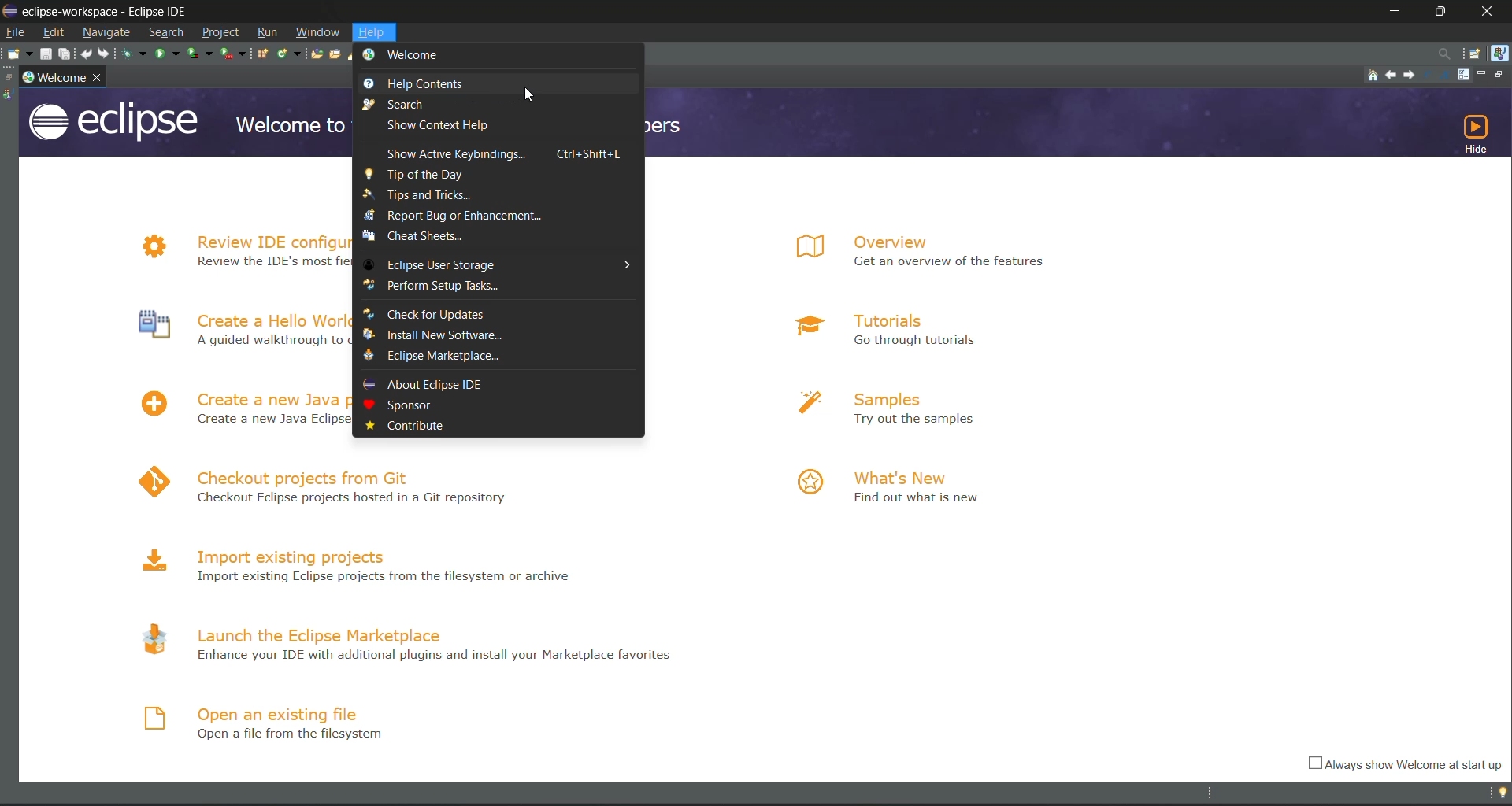  What do you see at coordinates (414, 630) in the screenshot?
I see `launch the eclipse marketplace` at bounding box center [414, 630].